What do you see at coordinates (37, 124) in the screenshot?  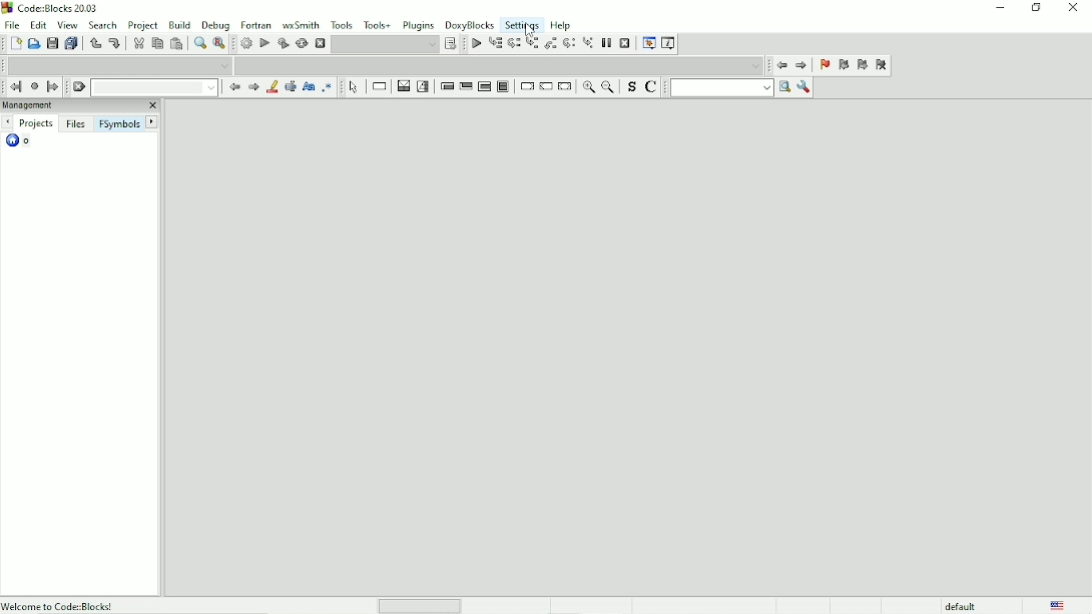 I see `Projects` at bounding box center [37, 124].